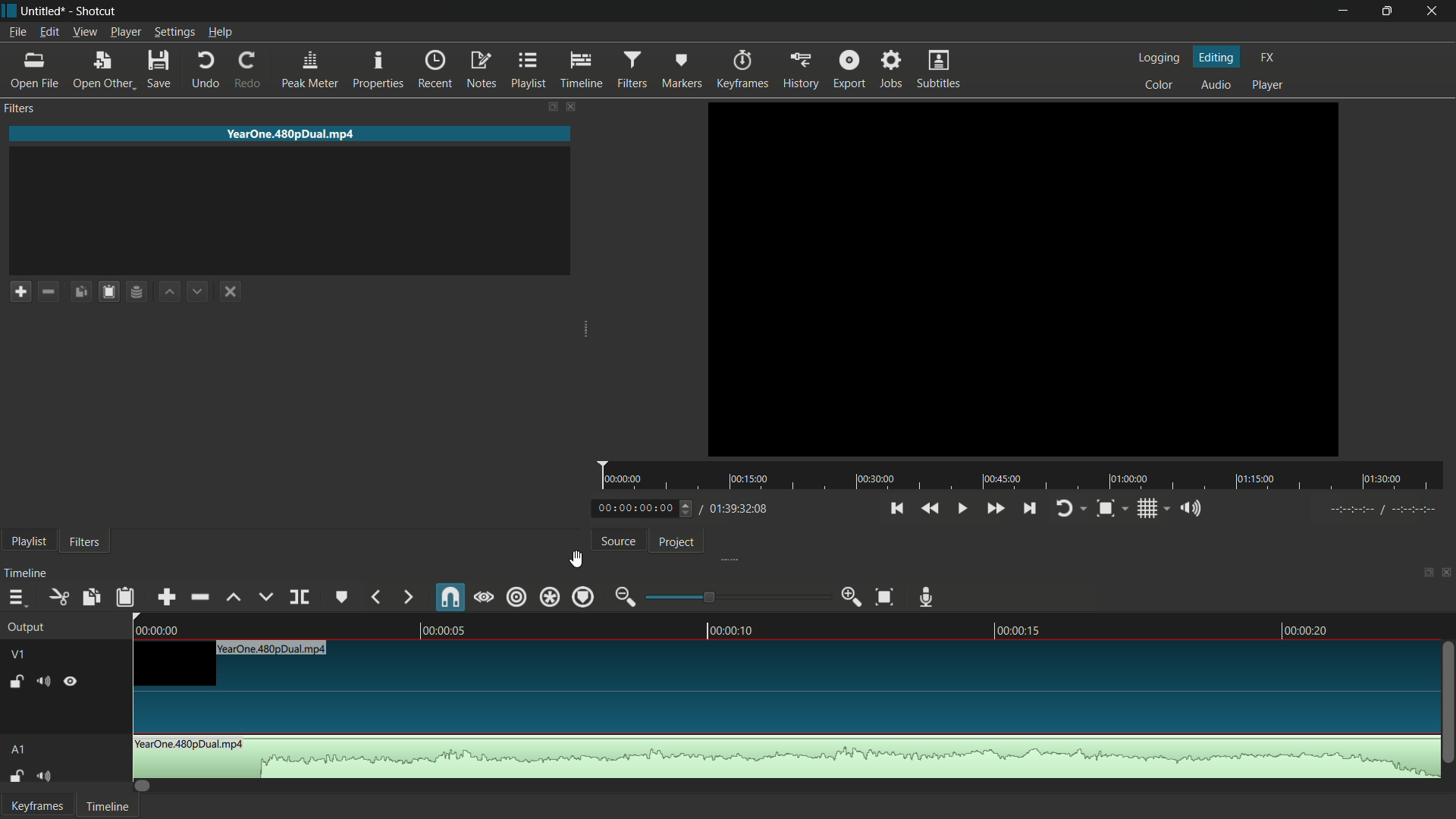  Describe the element at coordinates (1423, 574) in the screenshot. I see `change layout` at that location.